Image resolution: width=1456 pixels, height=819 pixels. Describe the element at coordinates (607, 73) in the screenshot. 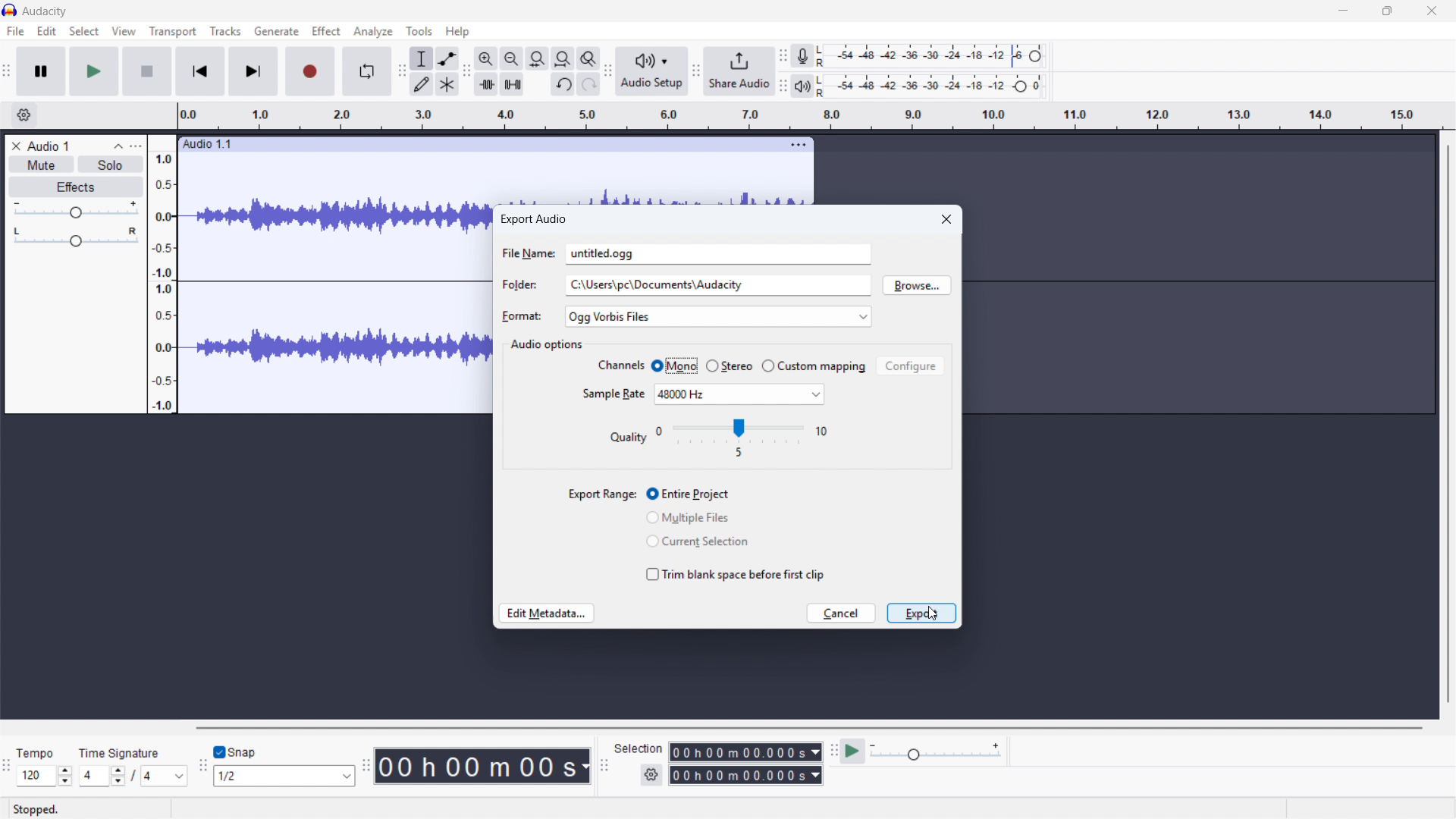

I see `Audio setup toolbar ` at that location.